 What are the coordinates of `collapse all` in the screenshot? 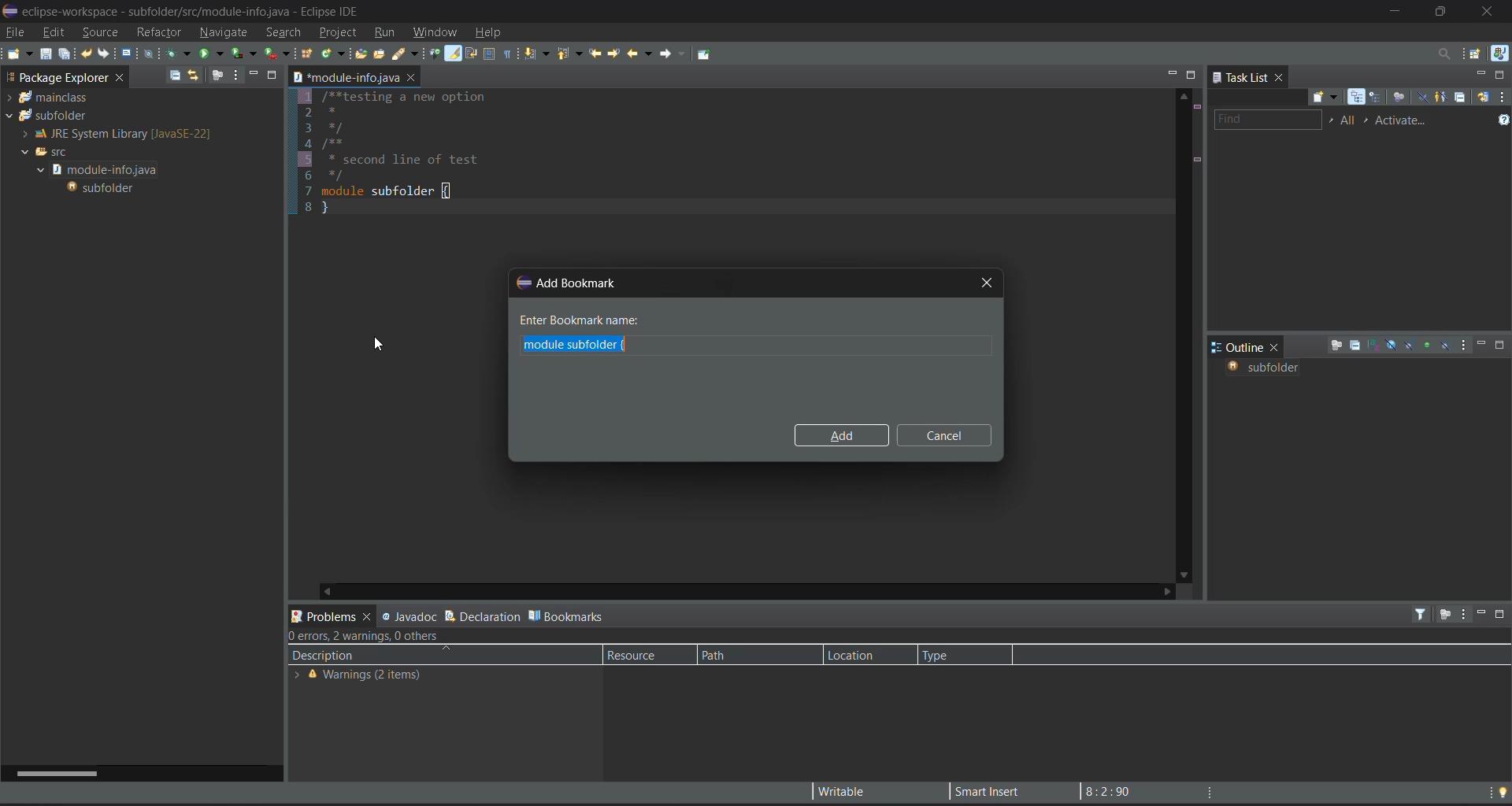 It's located at (1354, 346).